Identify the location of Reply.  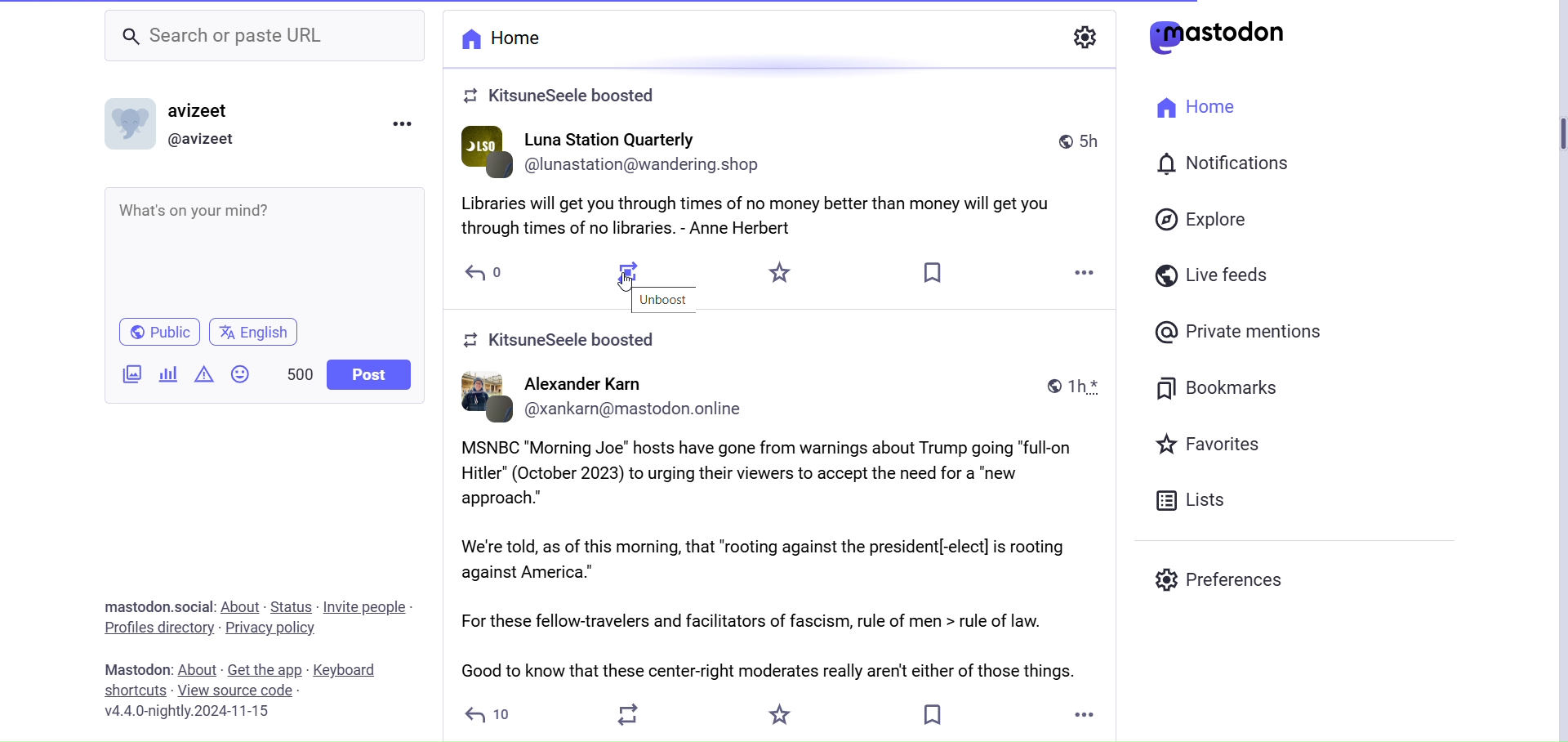
(492, 716).